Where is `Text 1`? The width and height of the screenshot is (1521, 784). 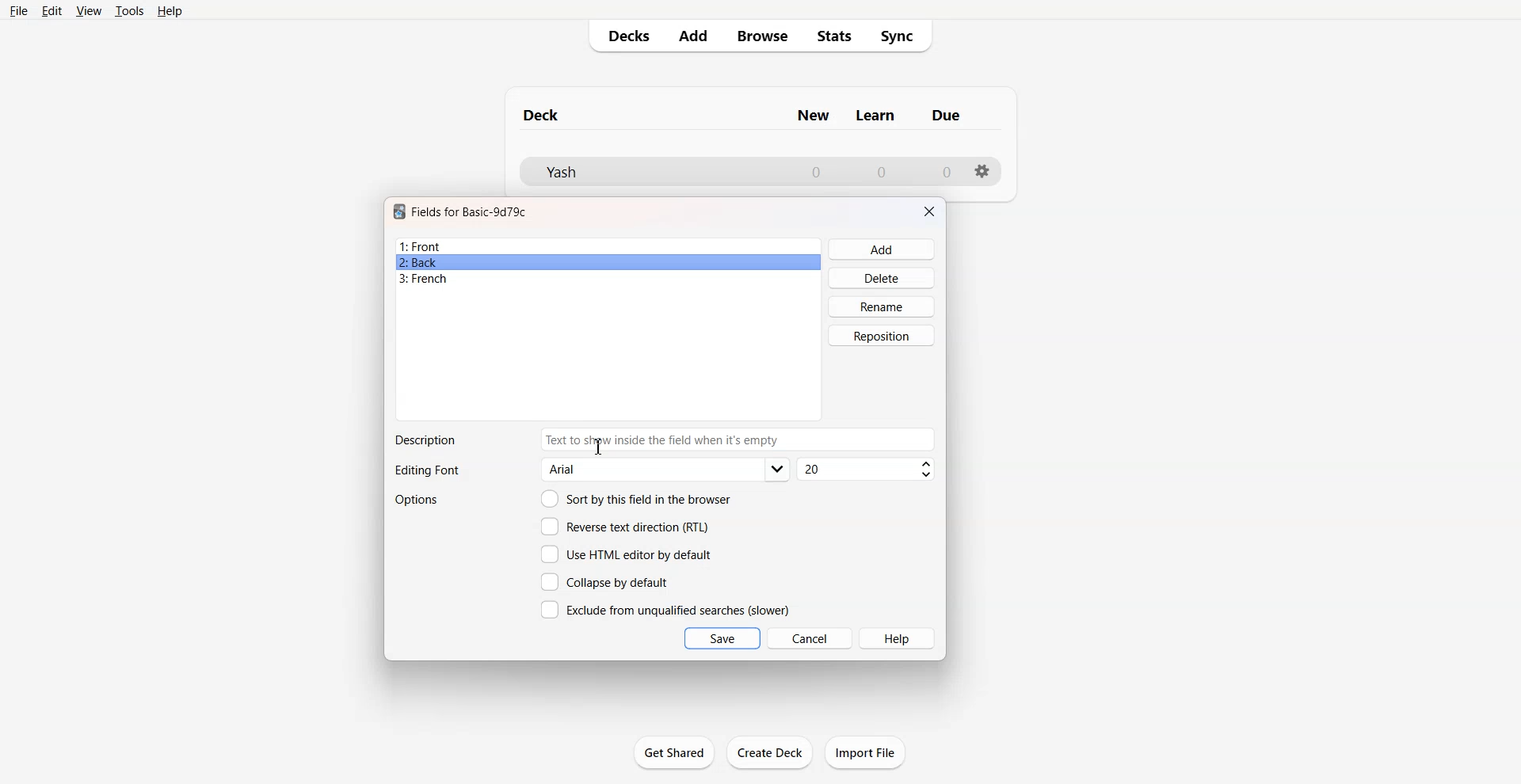
Text 1 is located at coordinates (542, 115).